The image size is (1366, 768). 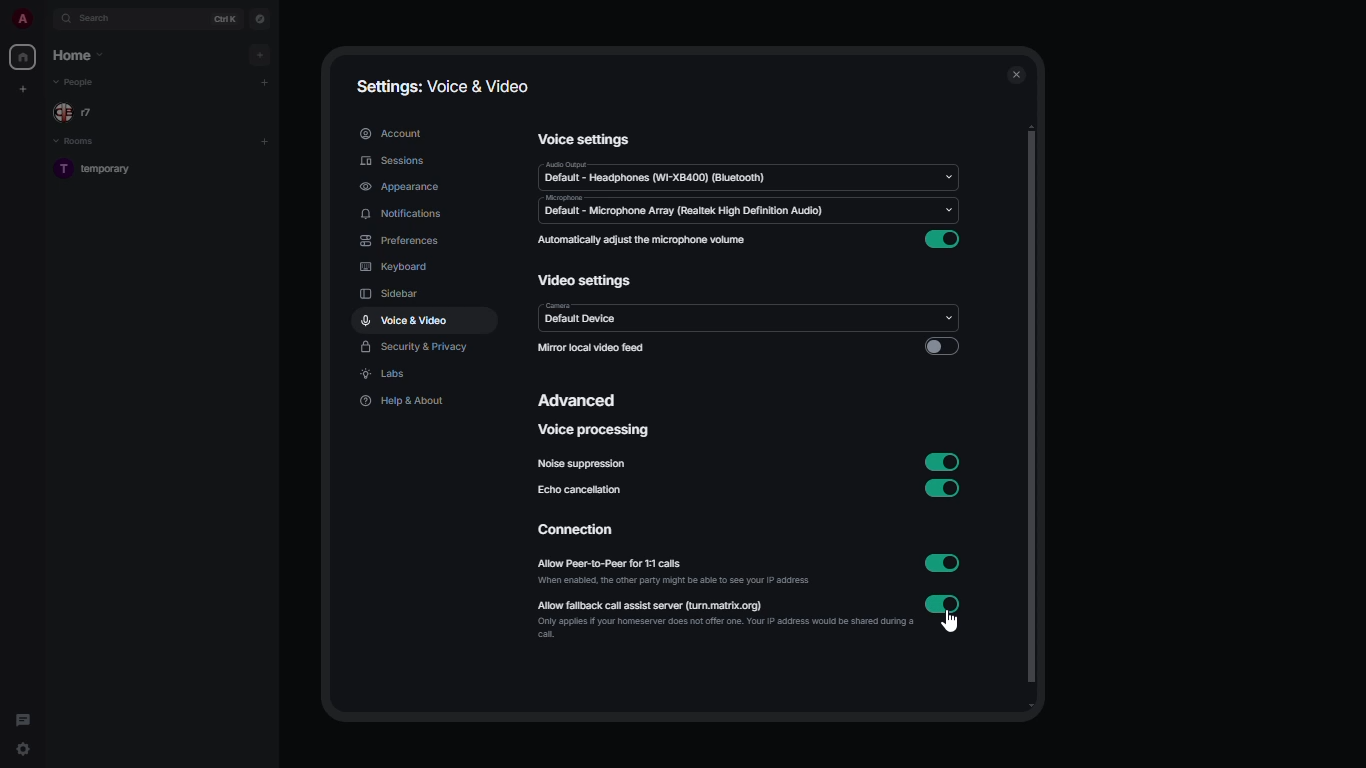 What do you see at coordinates (585, 281) in the screenshot?
I see `video settings` at bounding box center [585, 281].